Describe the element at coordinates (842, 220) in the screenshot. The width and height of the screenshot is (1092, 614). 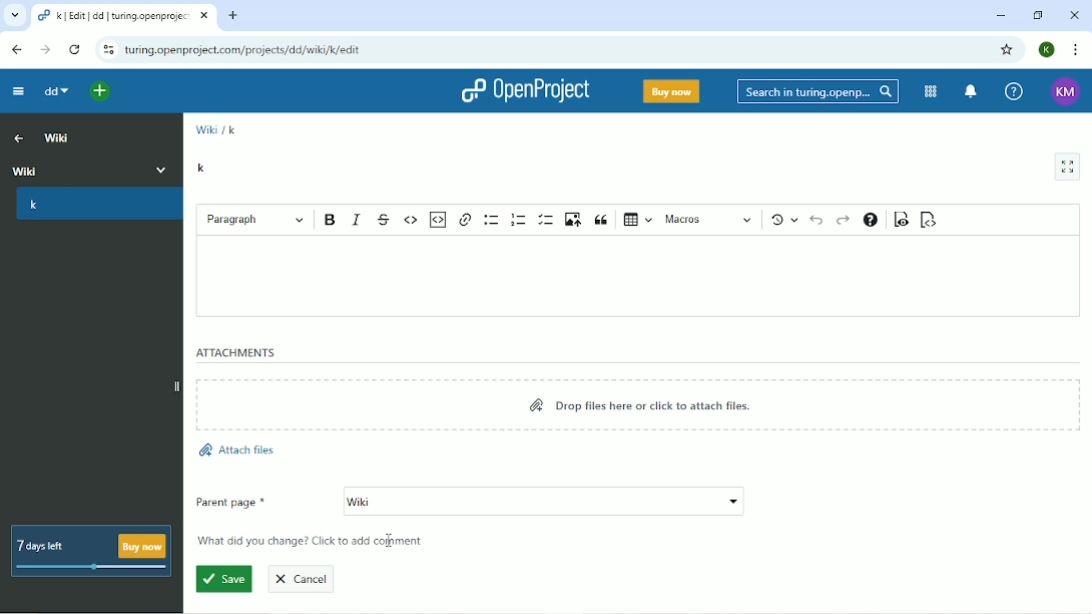
I see `Redo` at that location.